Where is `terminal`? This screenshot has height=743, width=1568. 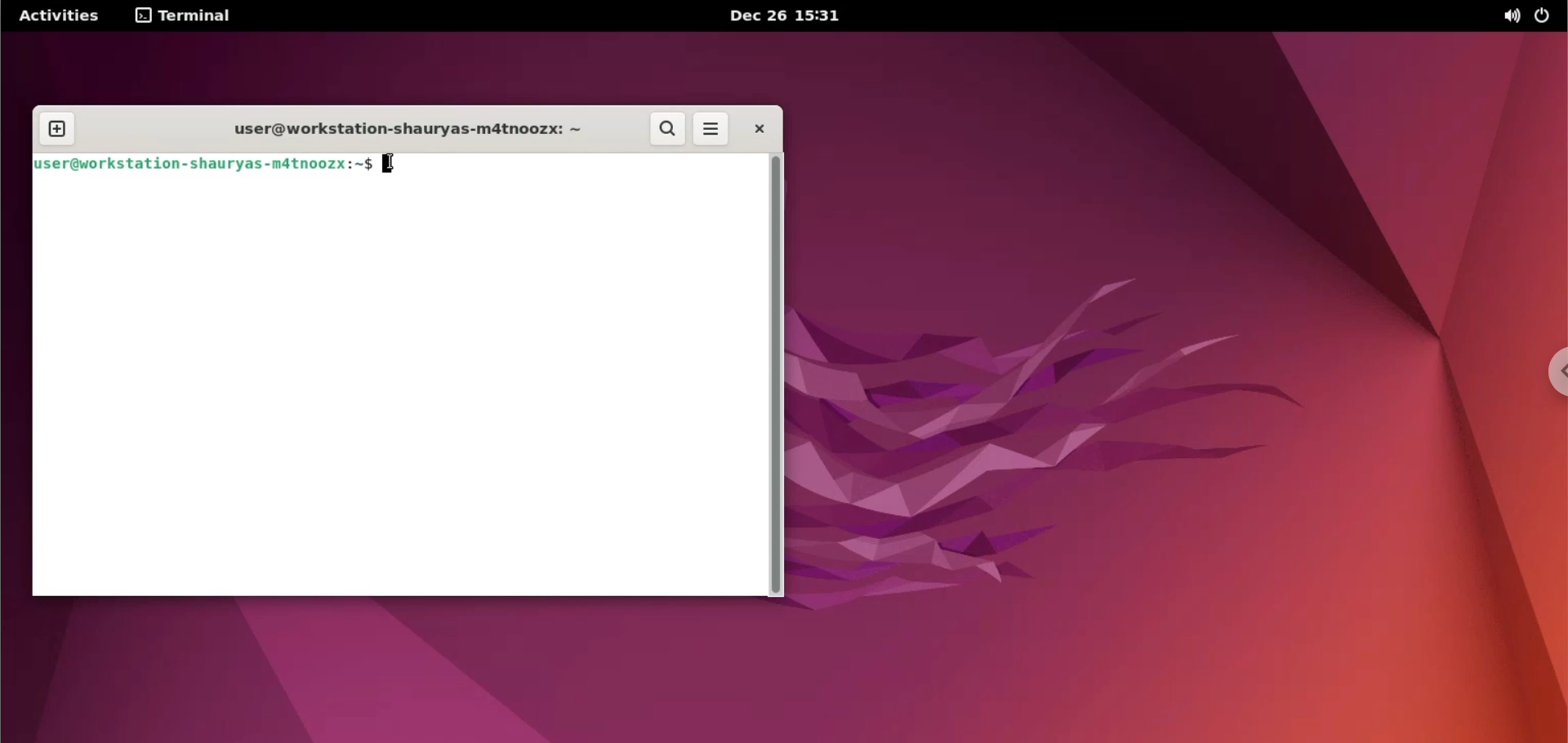
terminal is located at coordinates (189, 18).